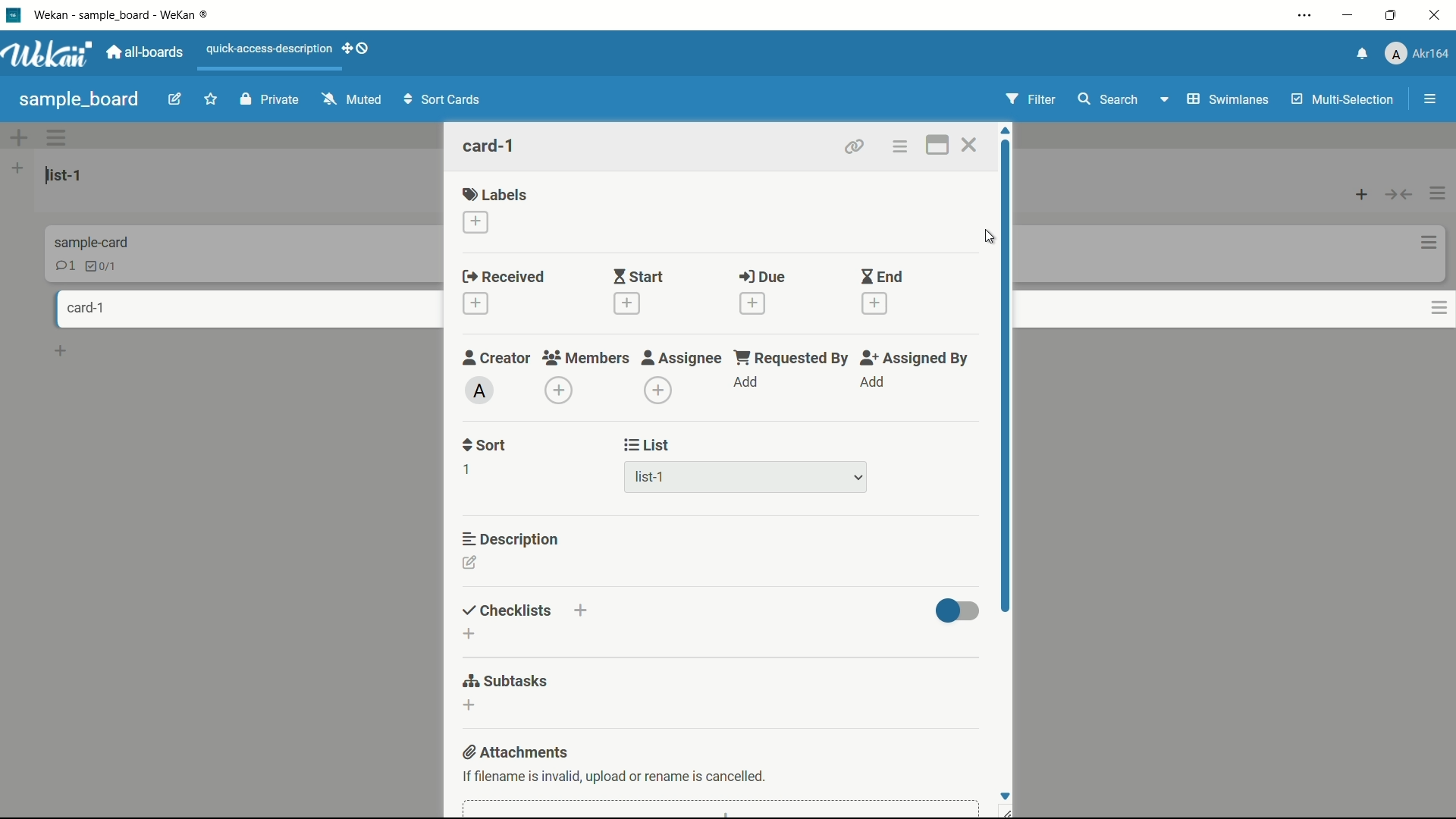  I want to click on card actions, so click(1423, 240).